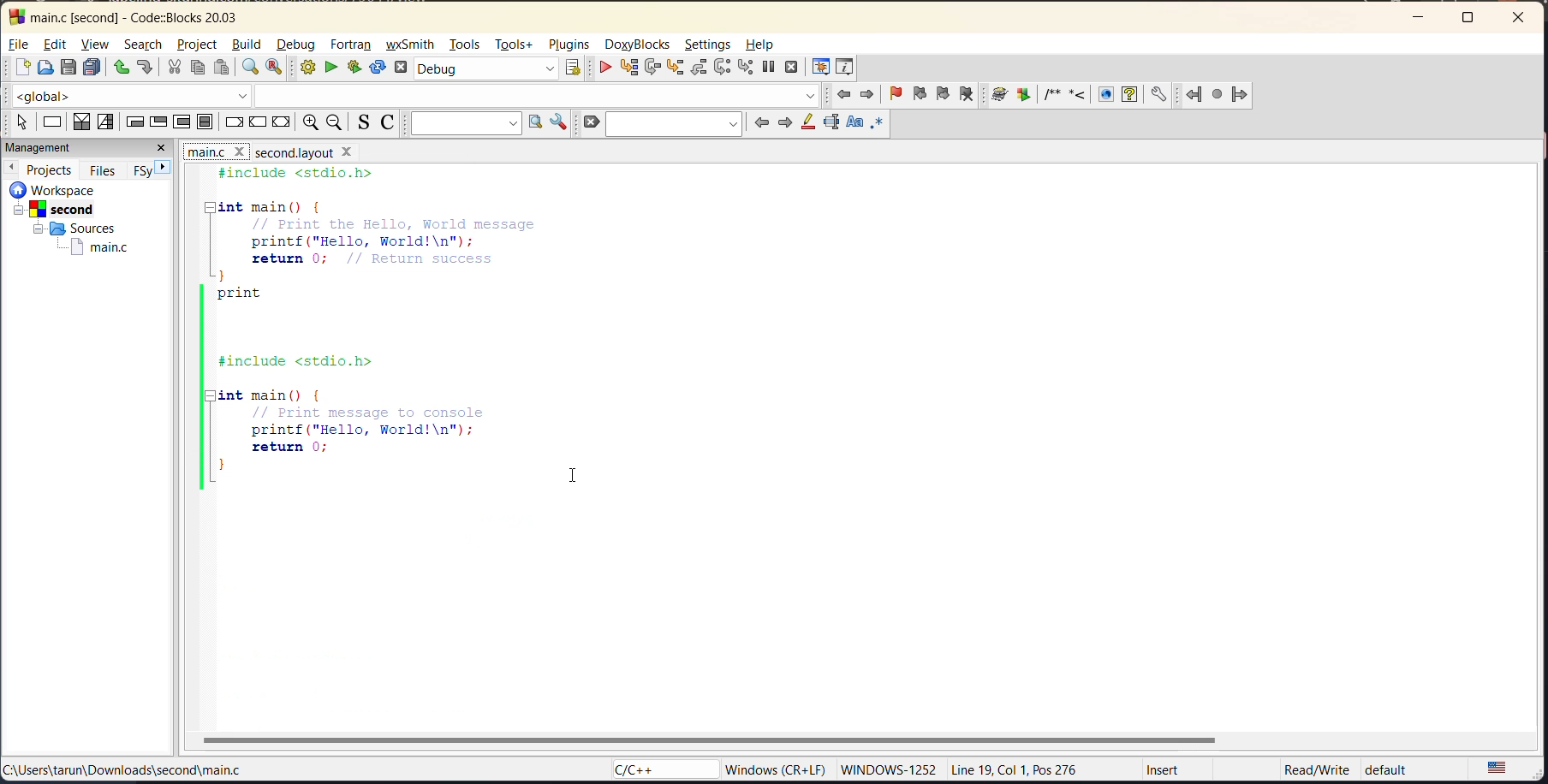 This screenshot has width=1548, height=784. What do you see at coordinates (146, 68) in the screenshot?
I see `redo` at bounding box center [146, 68].